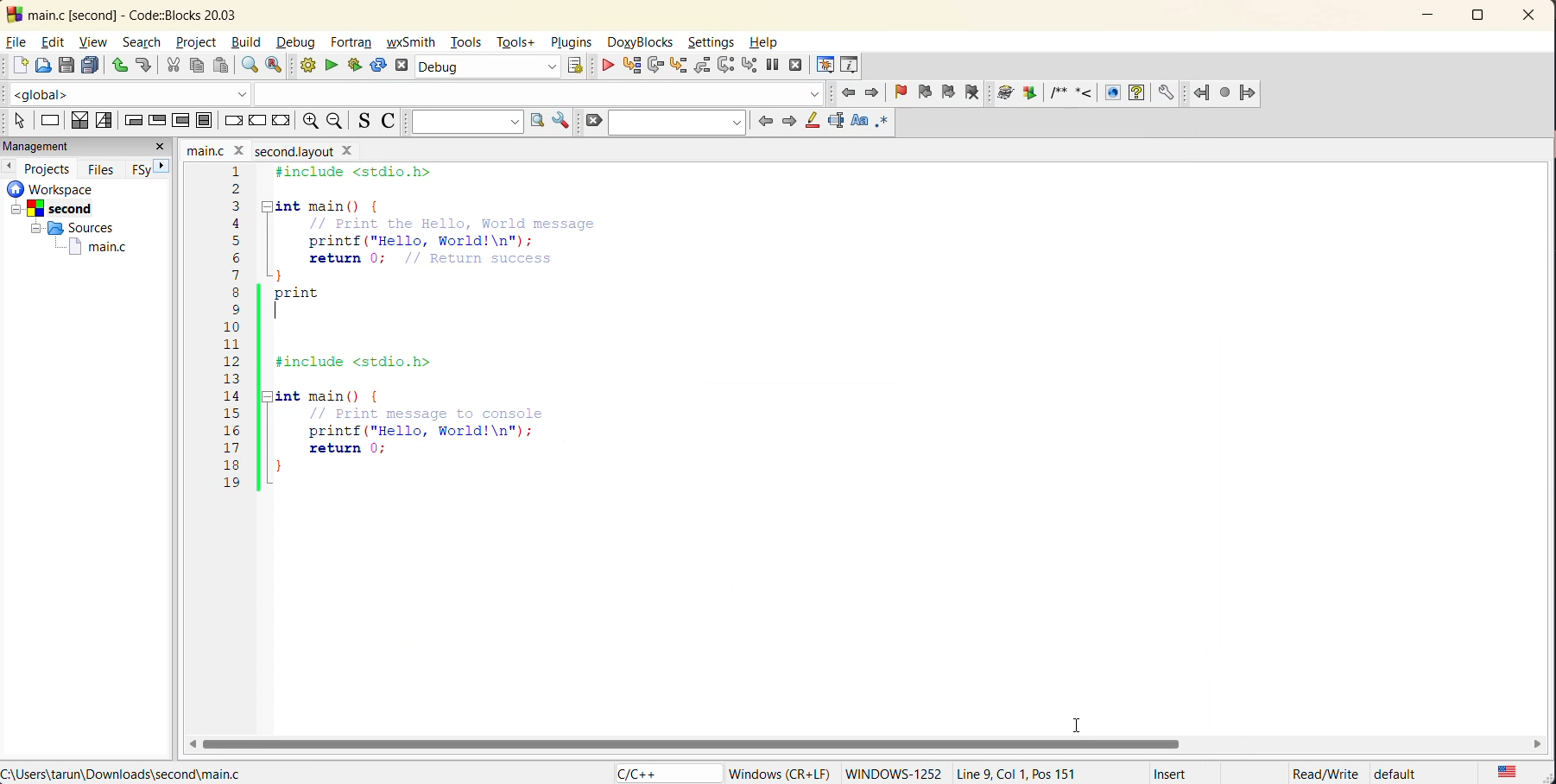  Describe the element at coordinates (1078, 724) in the screenshot. I see `cursor` at that location.